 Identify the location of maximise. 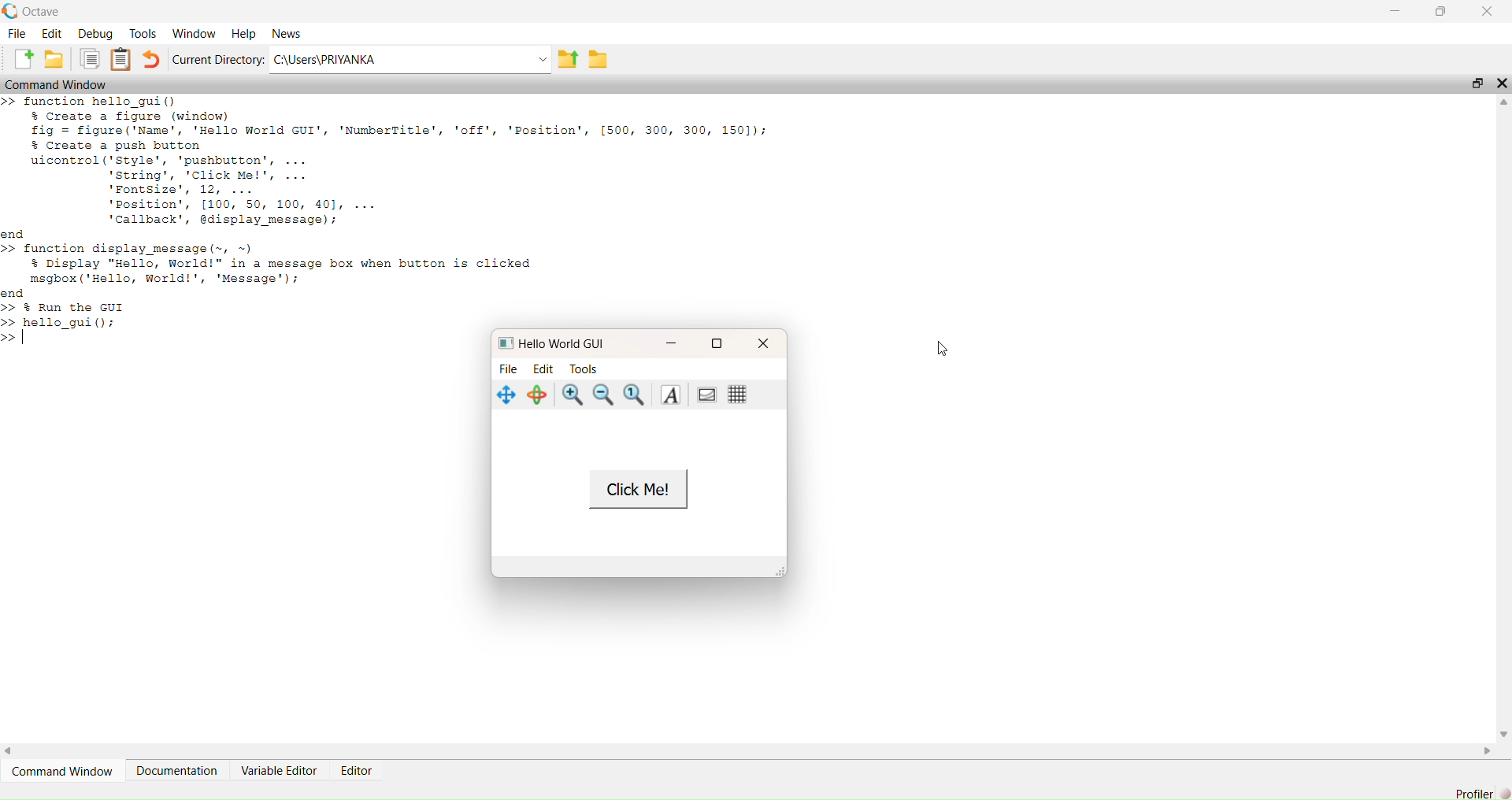
(719, 345).